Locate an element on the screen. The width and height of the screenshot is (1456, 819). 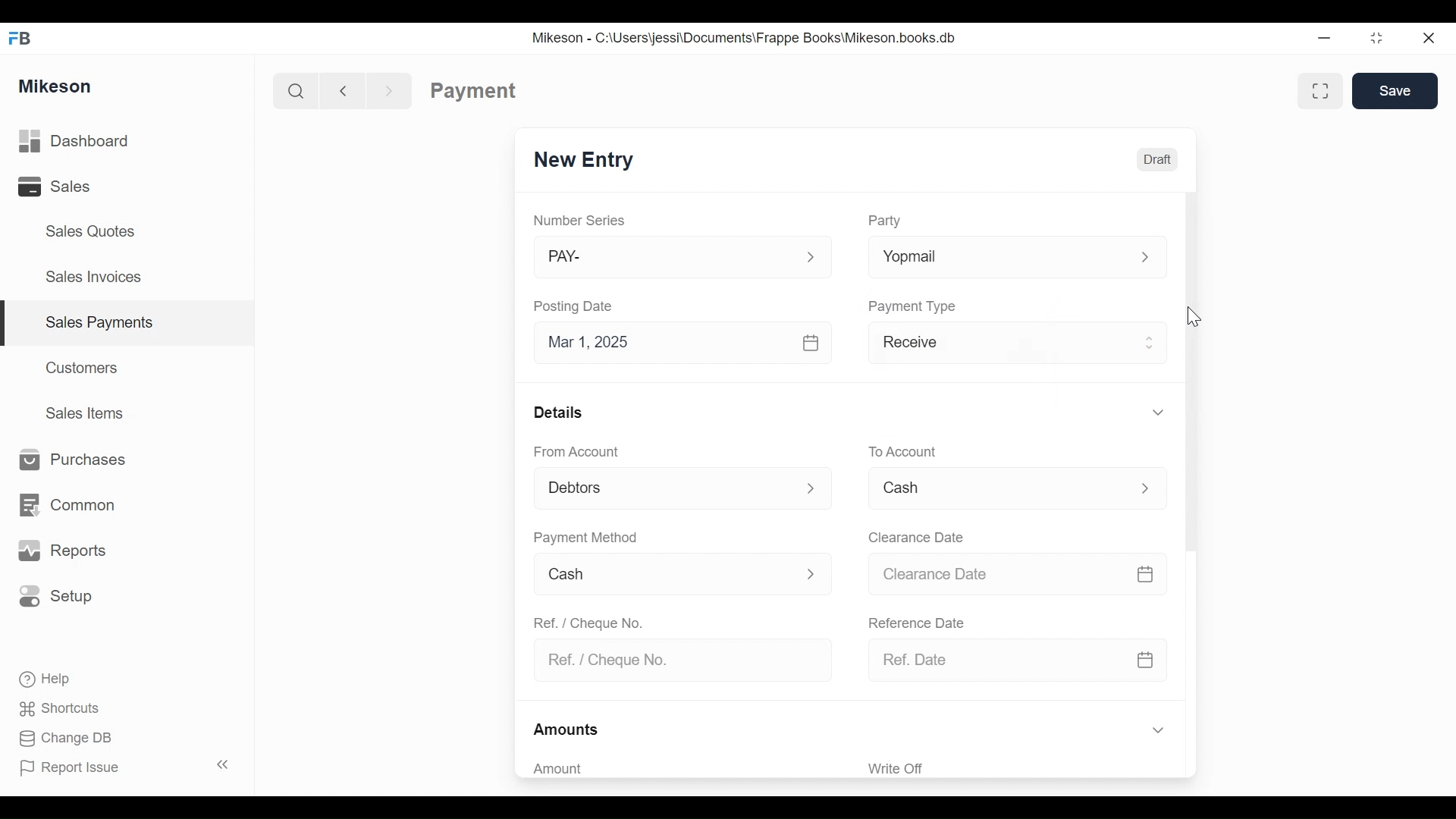
Amount is located at coordinates (566, 769).